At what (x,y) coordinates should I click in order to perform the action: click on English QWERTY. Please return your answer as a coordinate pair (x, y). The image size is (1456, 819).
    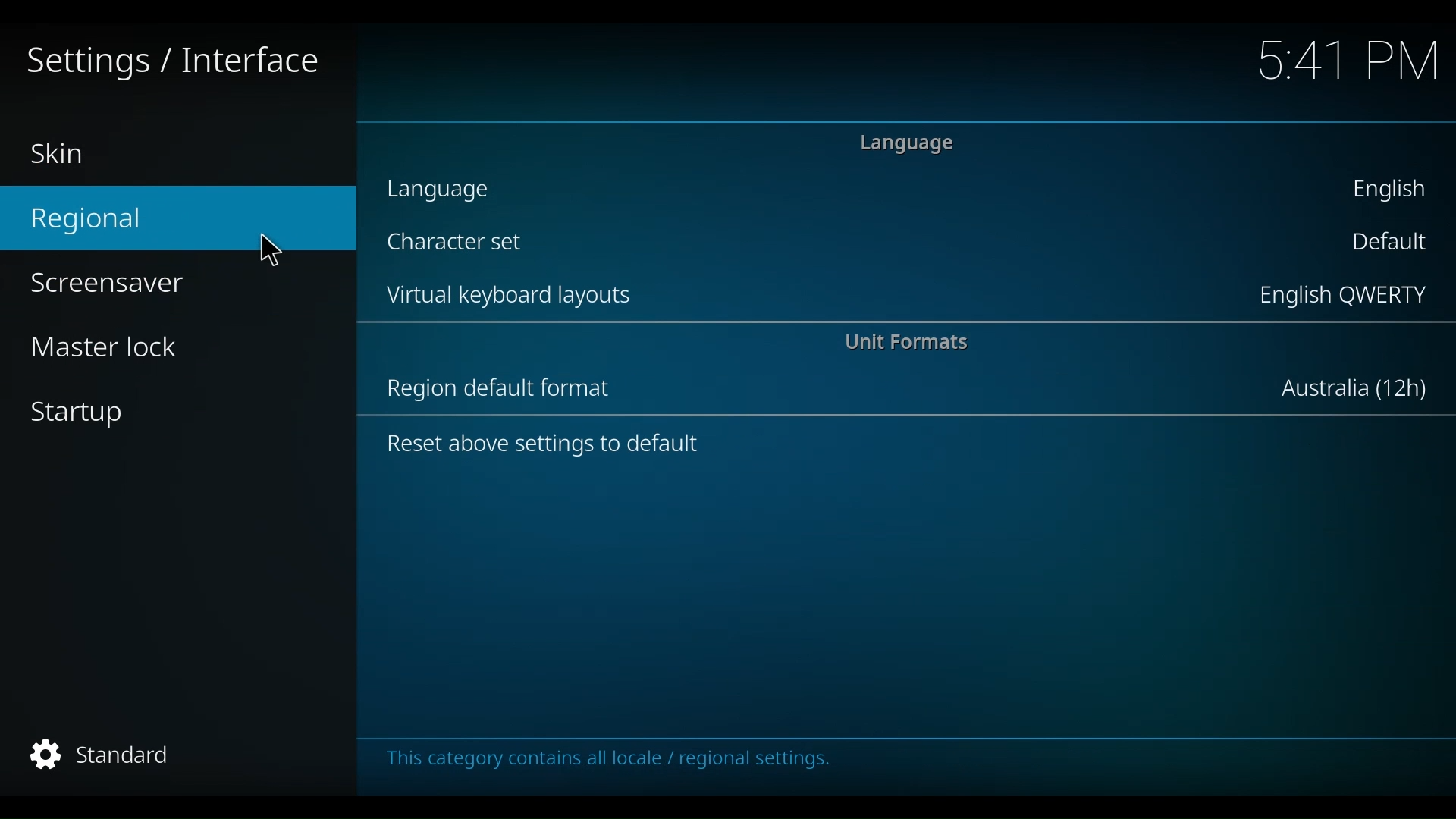
    Looking at the image, I should click on (1344, 296).